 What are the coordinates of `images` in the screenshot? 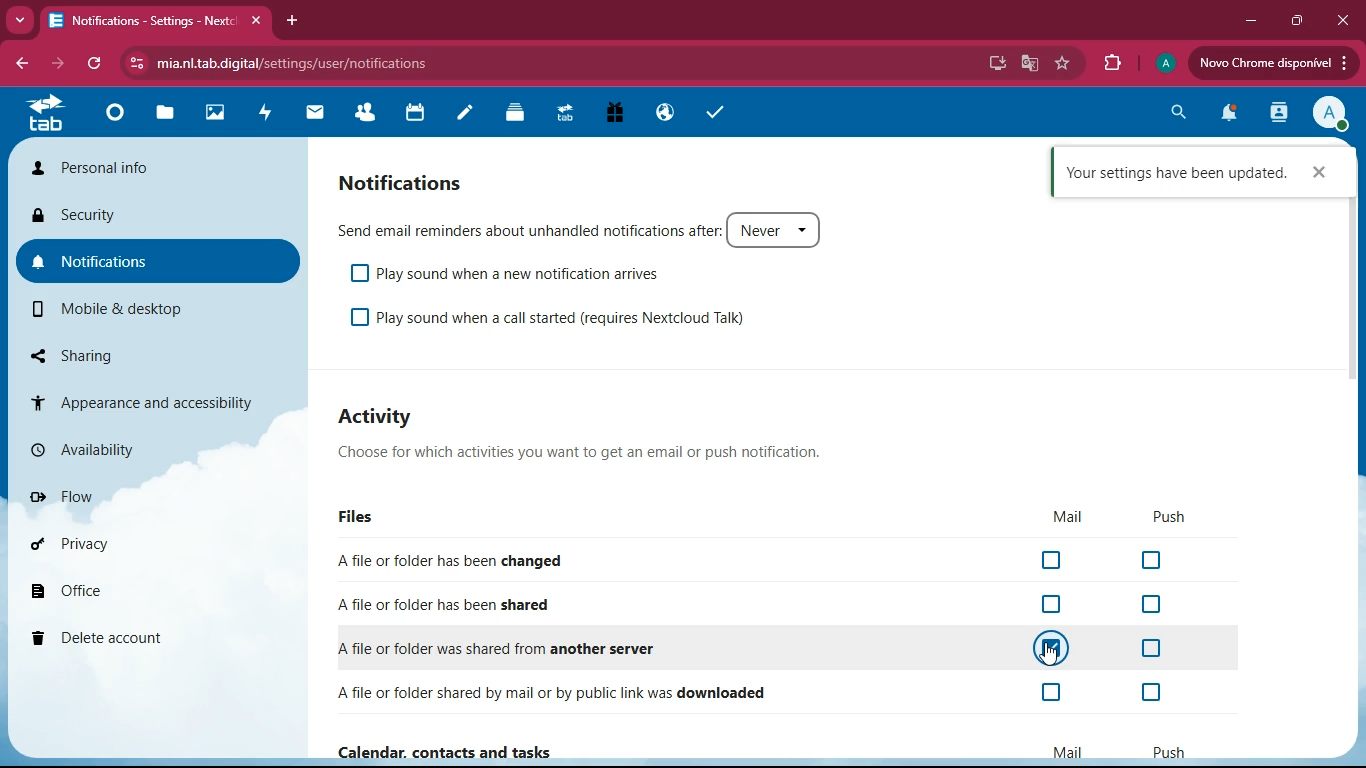 It's located at (212, 114).